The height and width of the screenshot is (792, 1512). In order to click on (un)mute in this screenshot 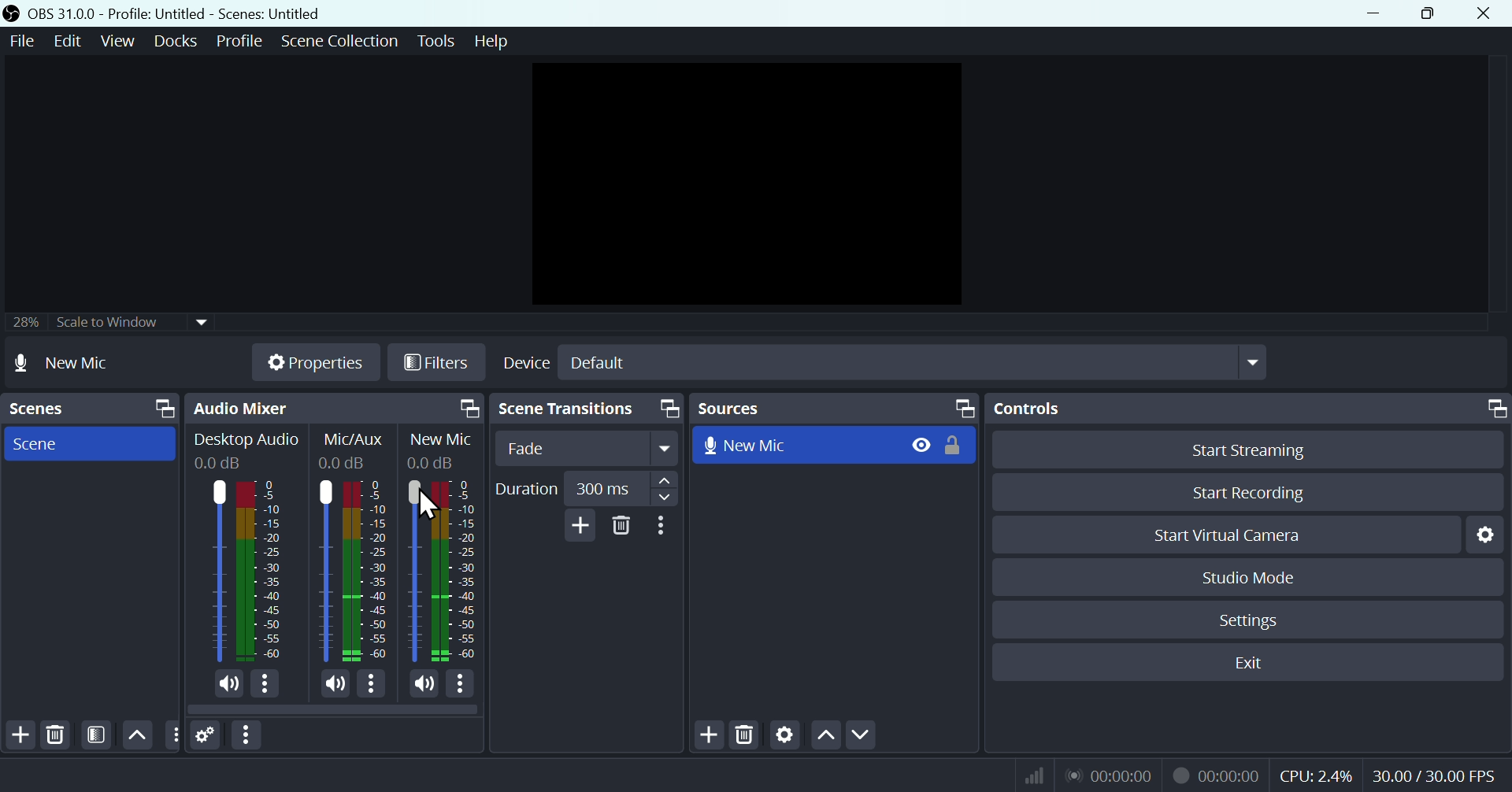, I will do `click(422, 684)`.